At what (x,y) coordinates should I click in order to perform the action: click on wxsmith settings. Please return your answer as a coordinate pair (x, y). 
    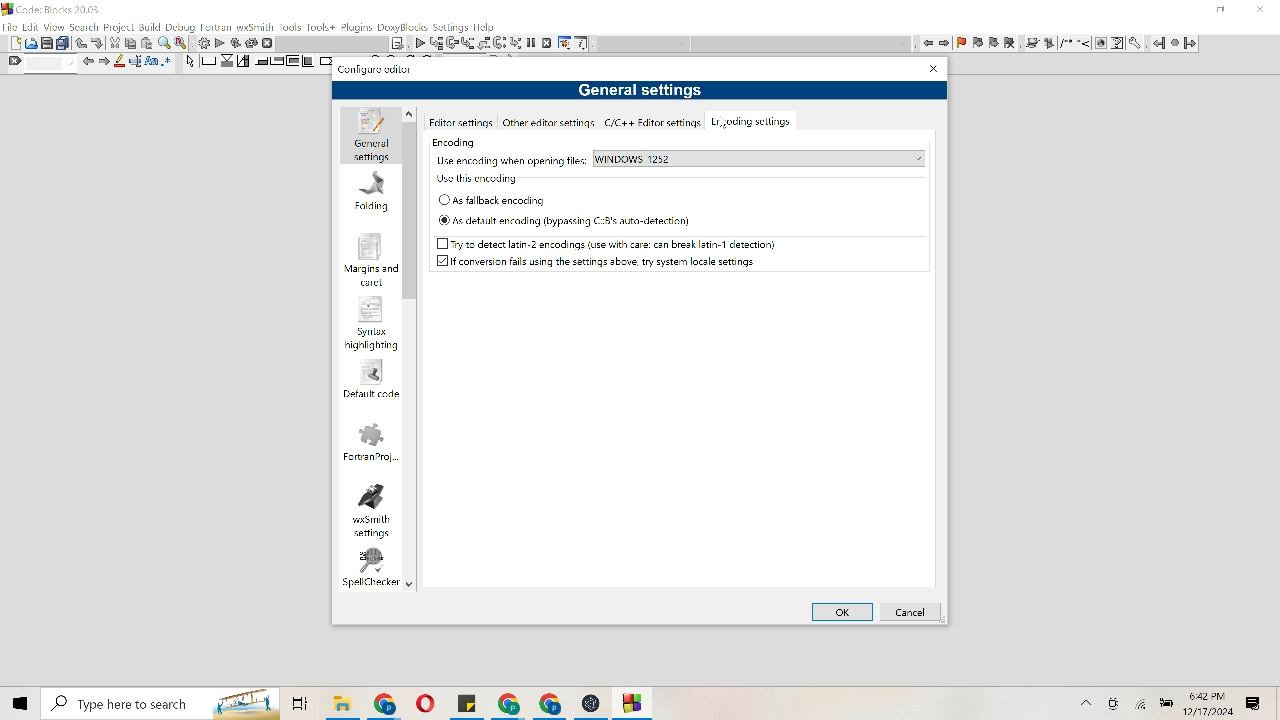
    Looking at the image, I should click on (370, 510).